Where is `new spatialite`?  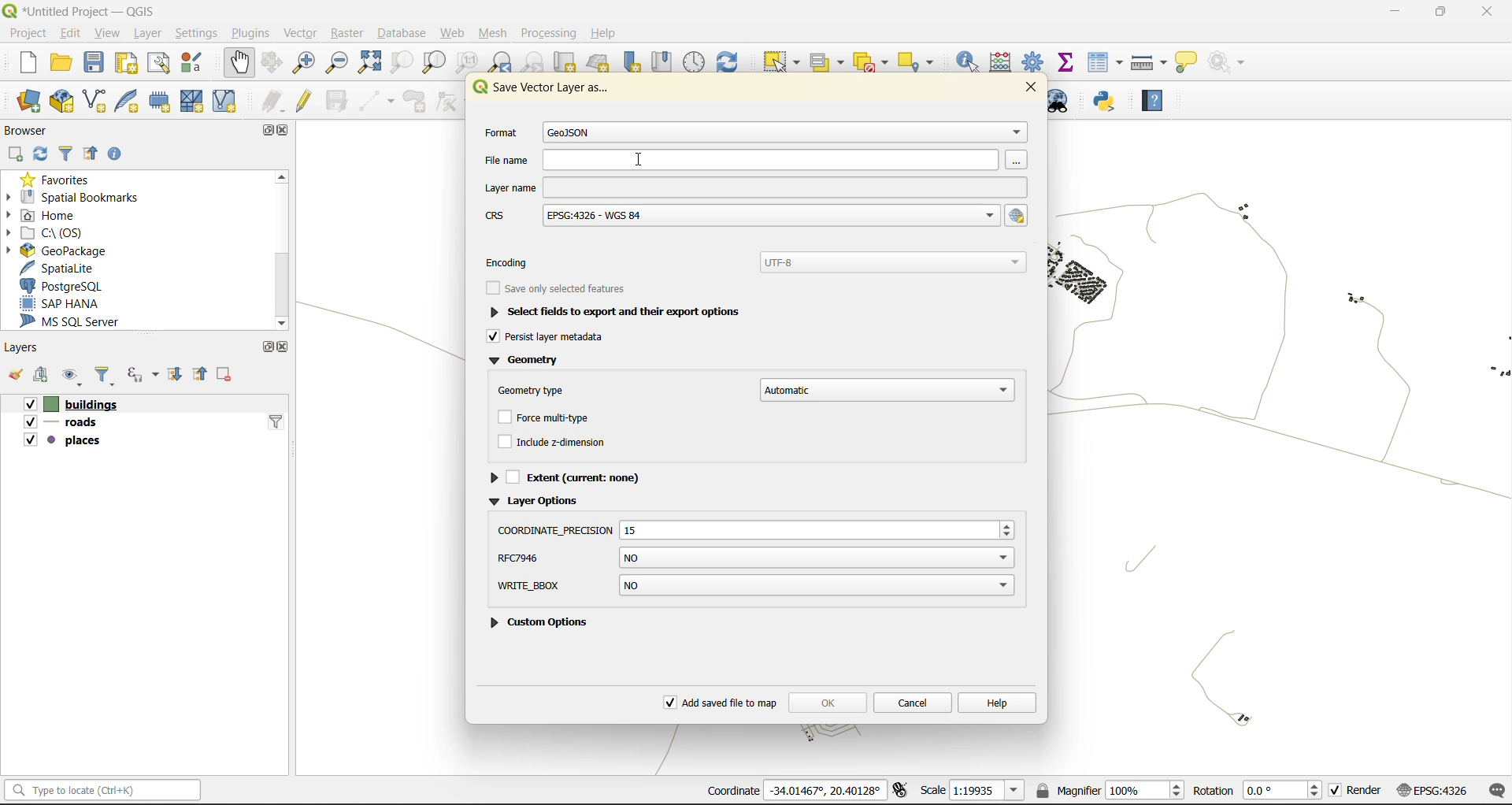
new spatialite is located at coordinates (131, 99).